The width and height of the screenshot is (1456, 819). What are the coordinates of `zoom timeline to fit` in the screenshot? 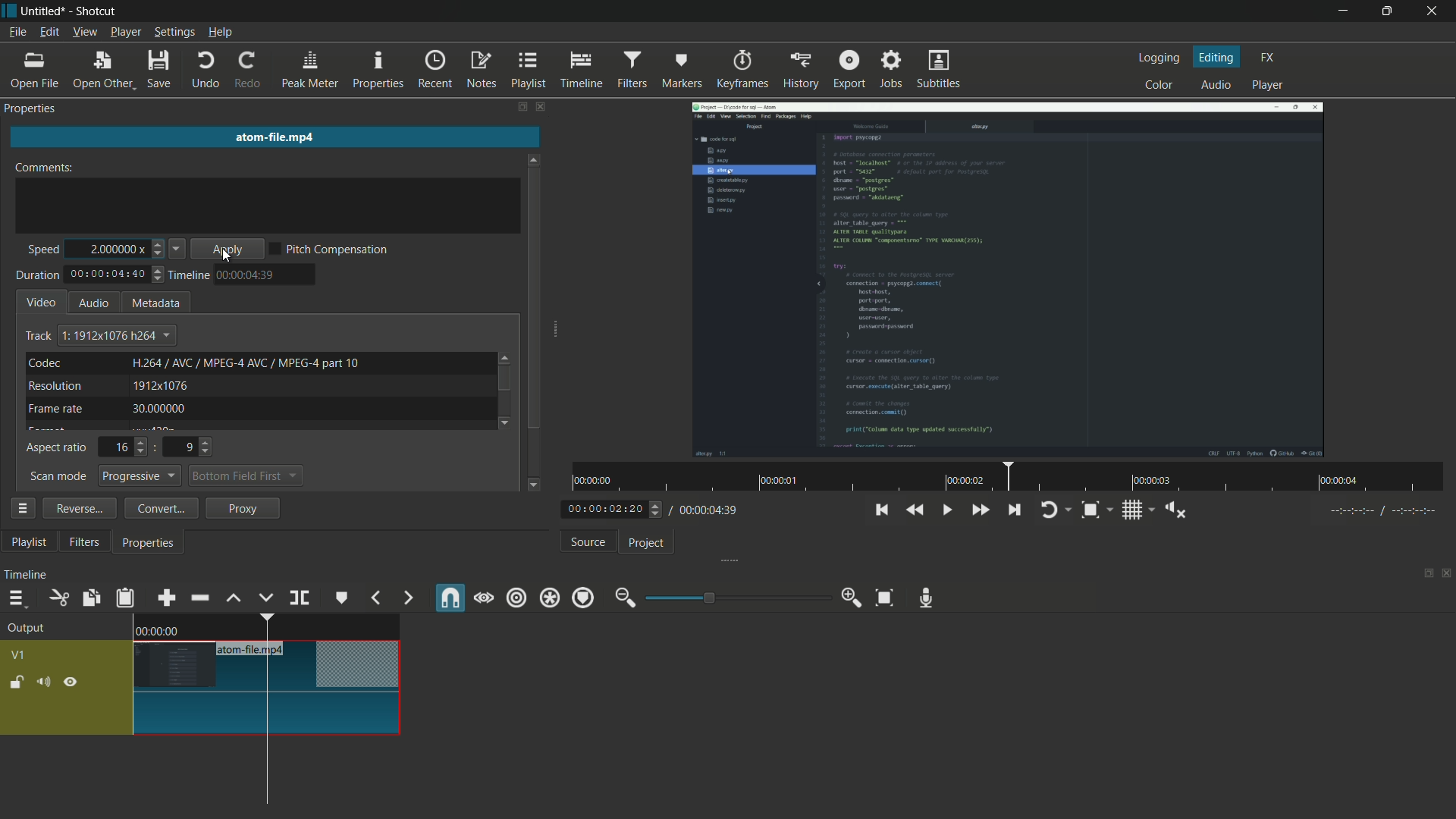 It's located at (885, 598).